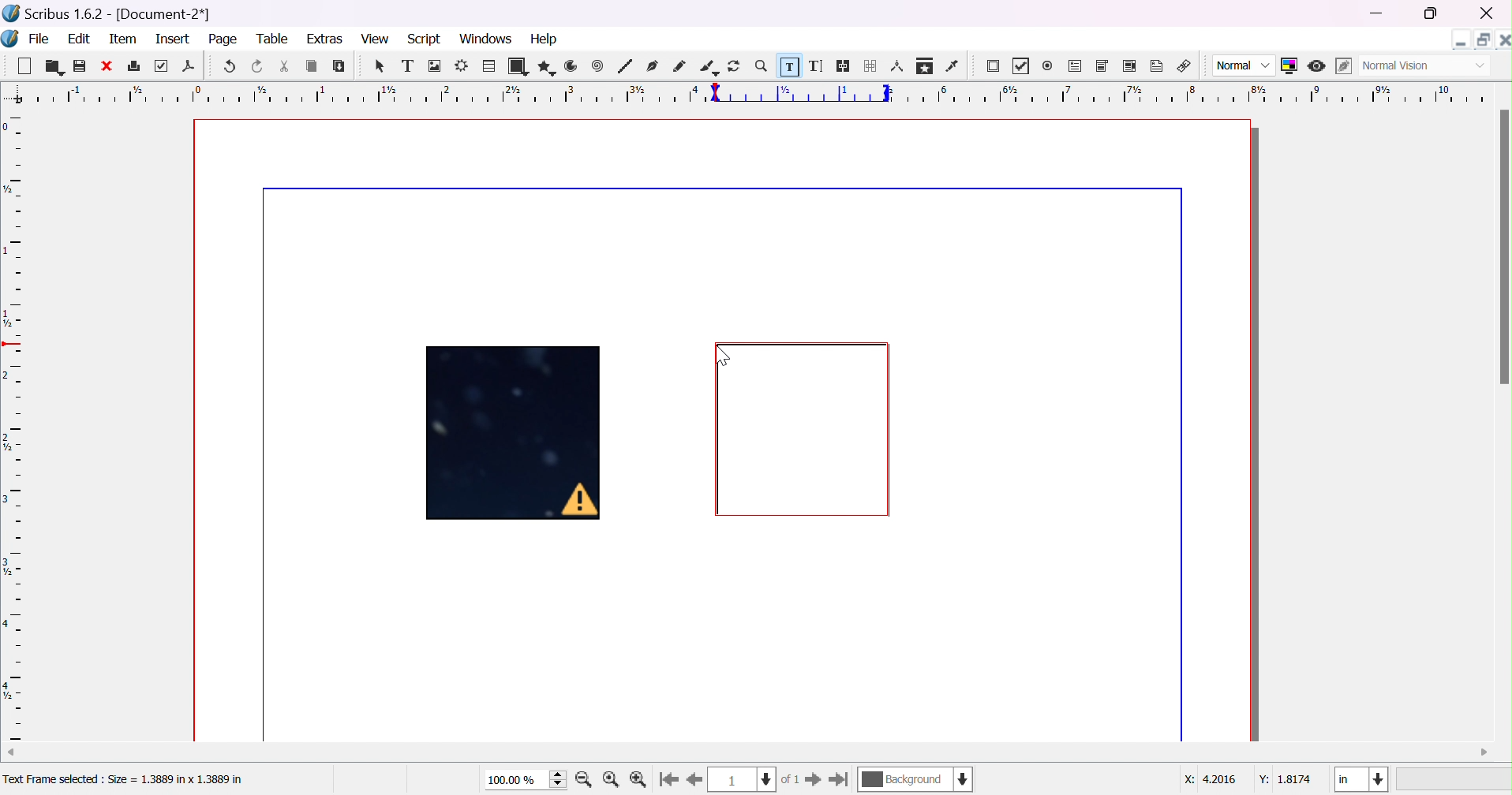  Describe the element at coordinates (517, 66) in the screenshot. I see `shape` at that location.